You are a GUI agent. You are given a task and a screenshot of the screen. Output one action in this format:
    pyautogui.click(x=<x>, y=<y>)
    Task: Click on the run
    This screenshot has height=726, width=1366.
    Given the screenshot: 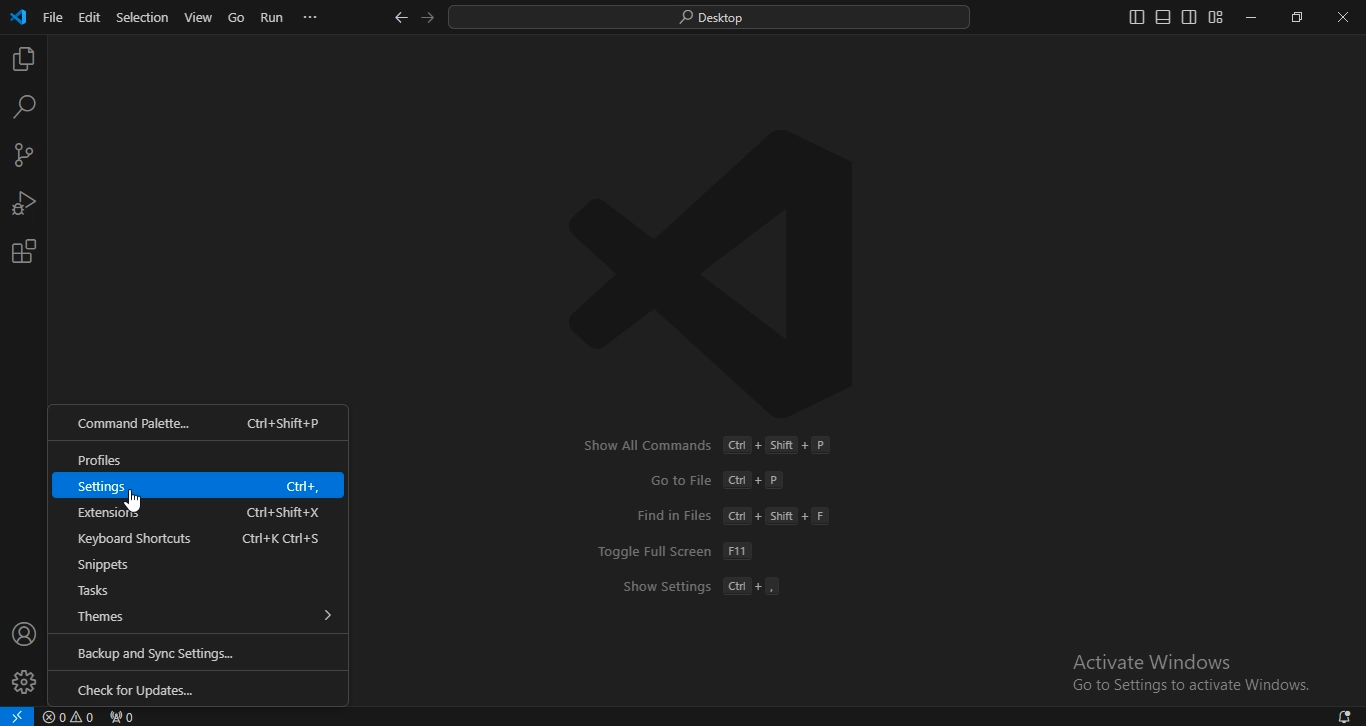 What is the action you would take?
    pyautogui.click(x=273, y=18)
    